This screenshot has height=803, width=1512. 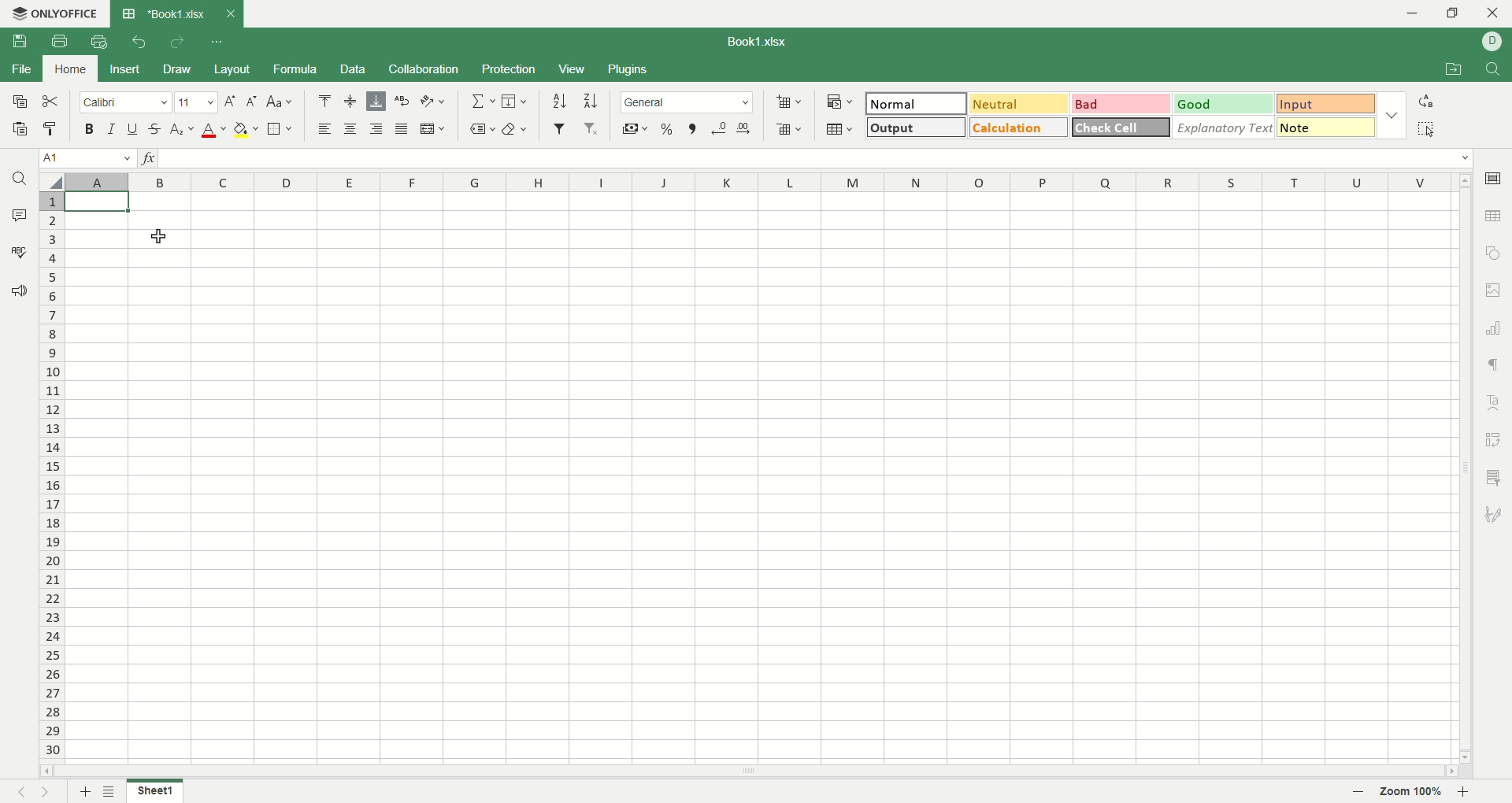 What do you see at coordinates (1327, 104) in the screenshot?
I see `input` at bounding box center [1327, 104].